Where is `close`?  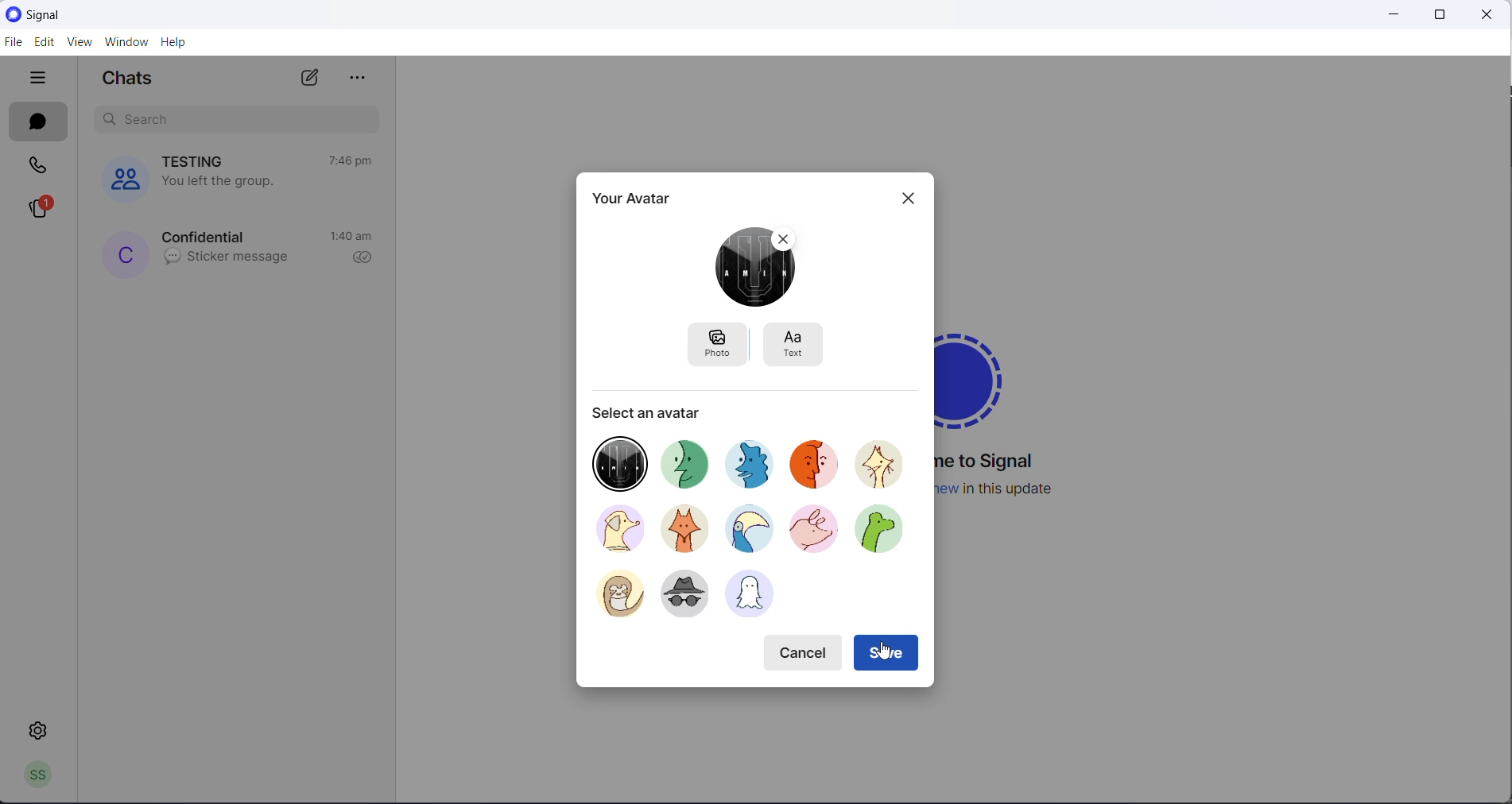
close is located at coordinates (1489, 16).